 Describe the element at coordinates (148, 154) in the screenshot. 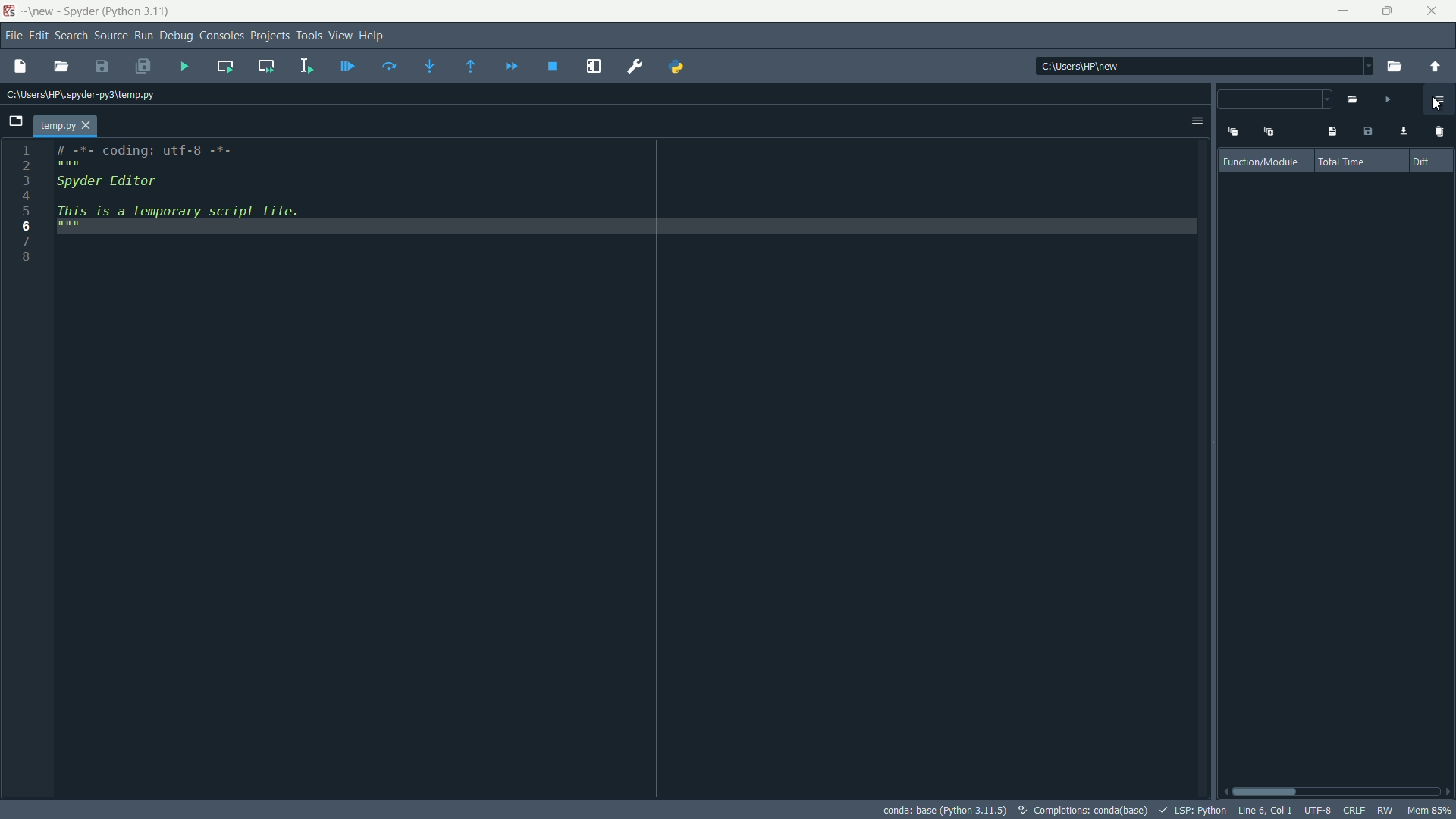

I see `#-*- coding: utf-8 -*-` at that location.